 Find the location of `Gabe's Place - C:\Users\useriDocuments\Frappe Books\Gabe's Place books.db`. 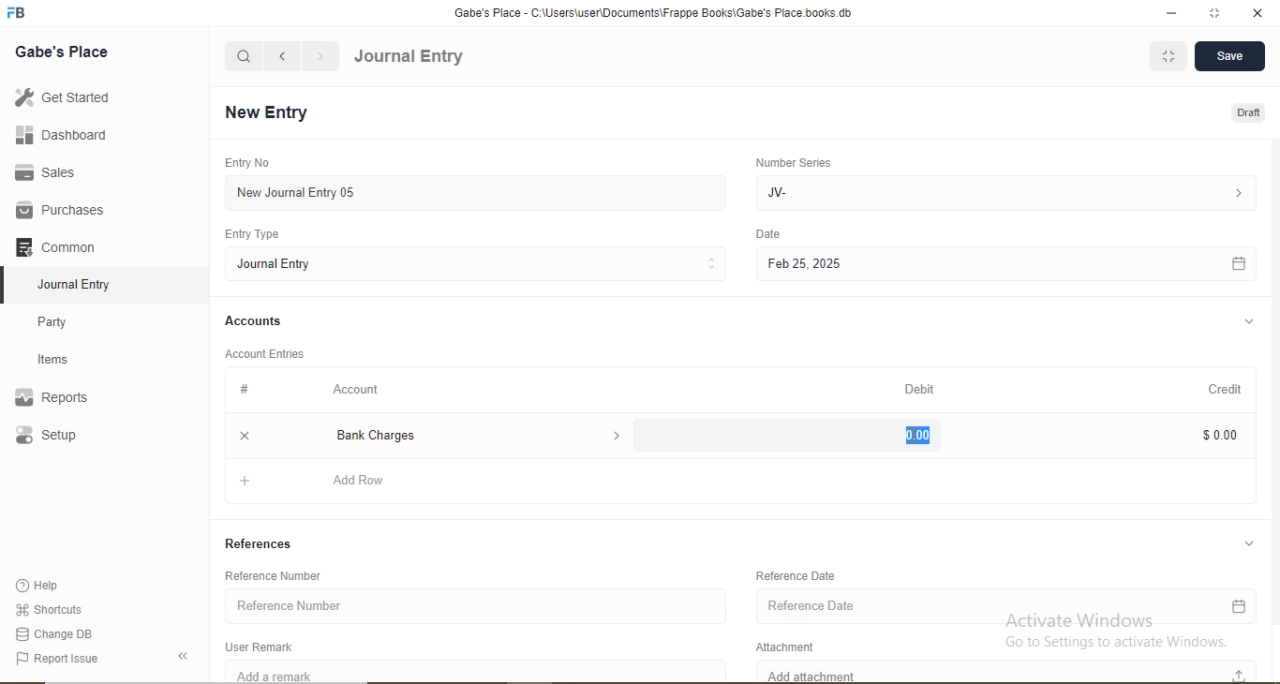

Gabe's Place - C:\Users\useriDocuments\Frappe Books\Gabe's Place books.db is located at coordinates (655, 12).